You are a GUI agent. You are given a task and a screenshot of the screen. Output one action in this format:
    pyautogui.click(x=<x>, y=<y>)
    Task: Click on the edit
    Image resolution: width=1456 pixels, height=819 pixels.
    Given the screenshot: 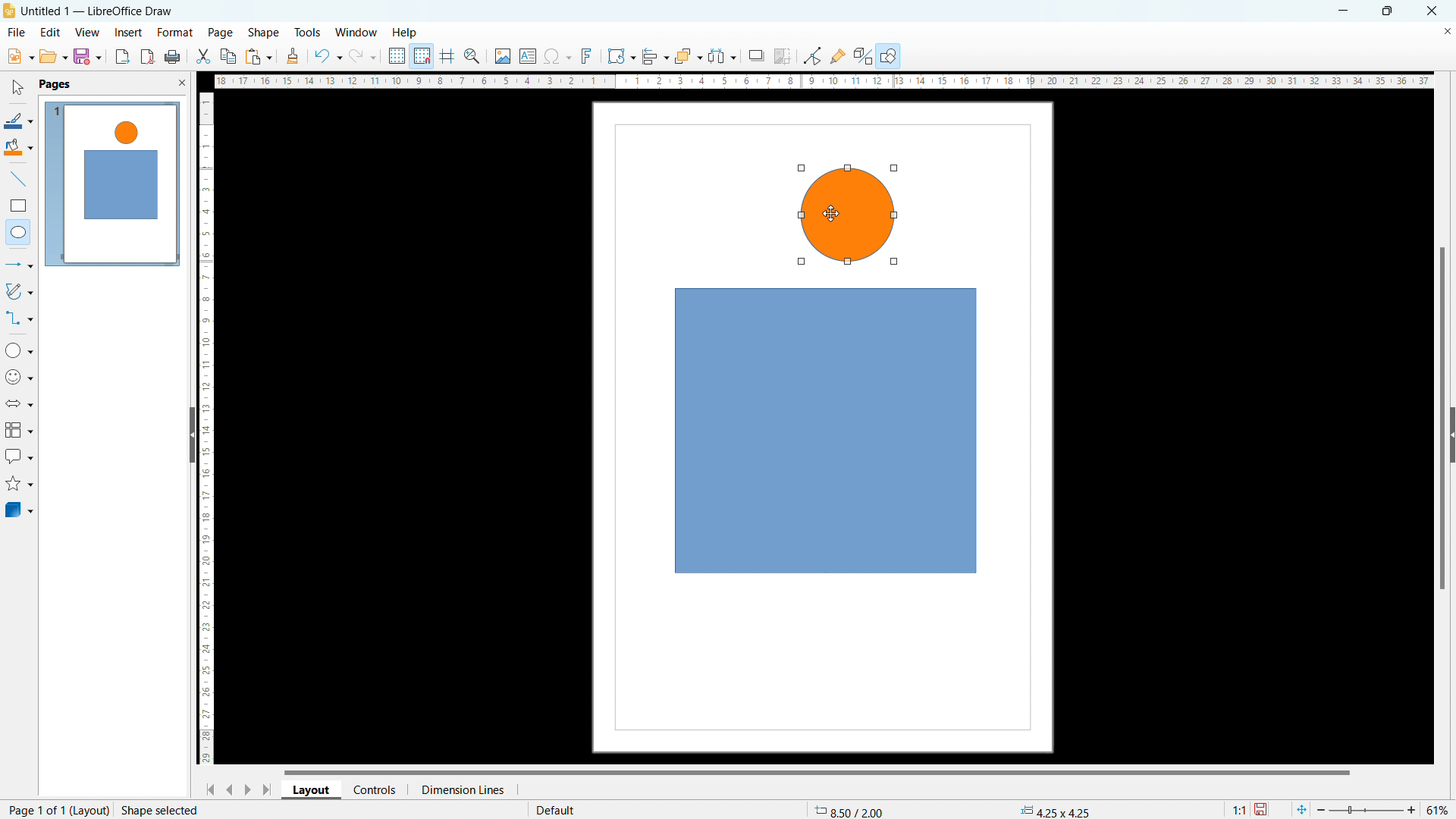 What is the action you would take?
    pyautogui.click(x=51, y=31)
    